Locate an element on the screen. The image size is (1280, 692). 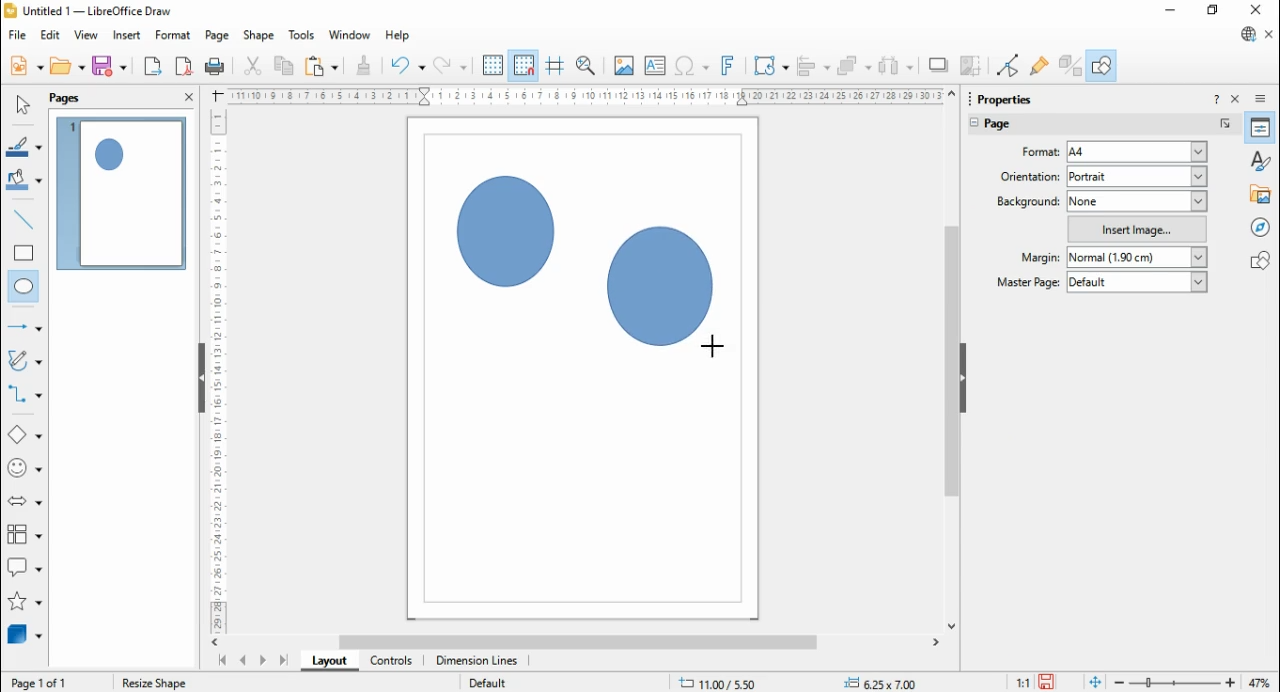
insert image is located at coordinates (623, 65).